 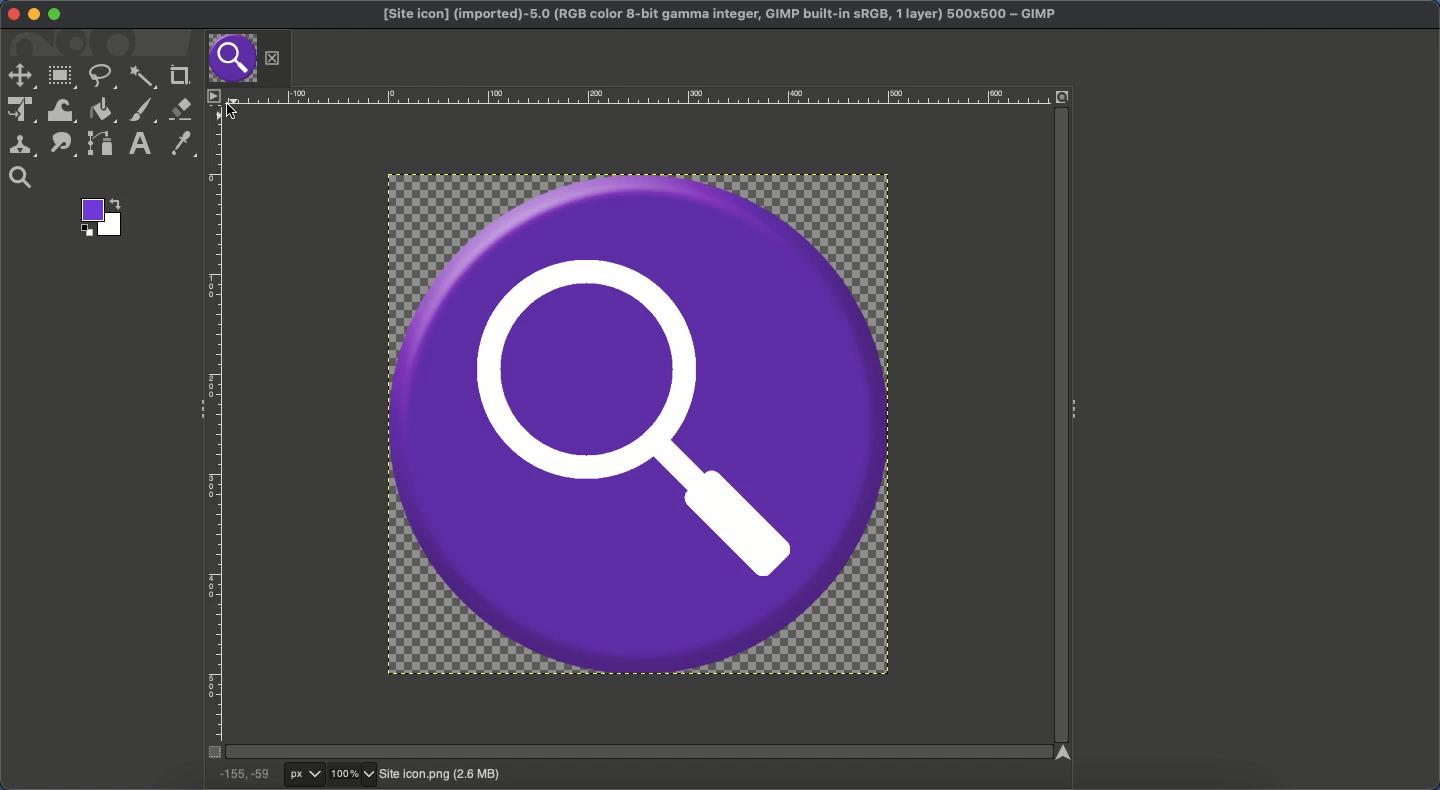 I want to click on Ruler, so click(x=633, y=96).